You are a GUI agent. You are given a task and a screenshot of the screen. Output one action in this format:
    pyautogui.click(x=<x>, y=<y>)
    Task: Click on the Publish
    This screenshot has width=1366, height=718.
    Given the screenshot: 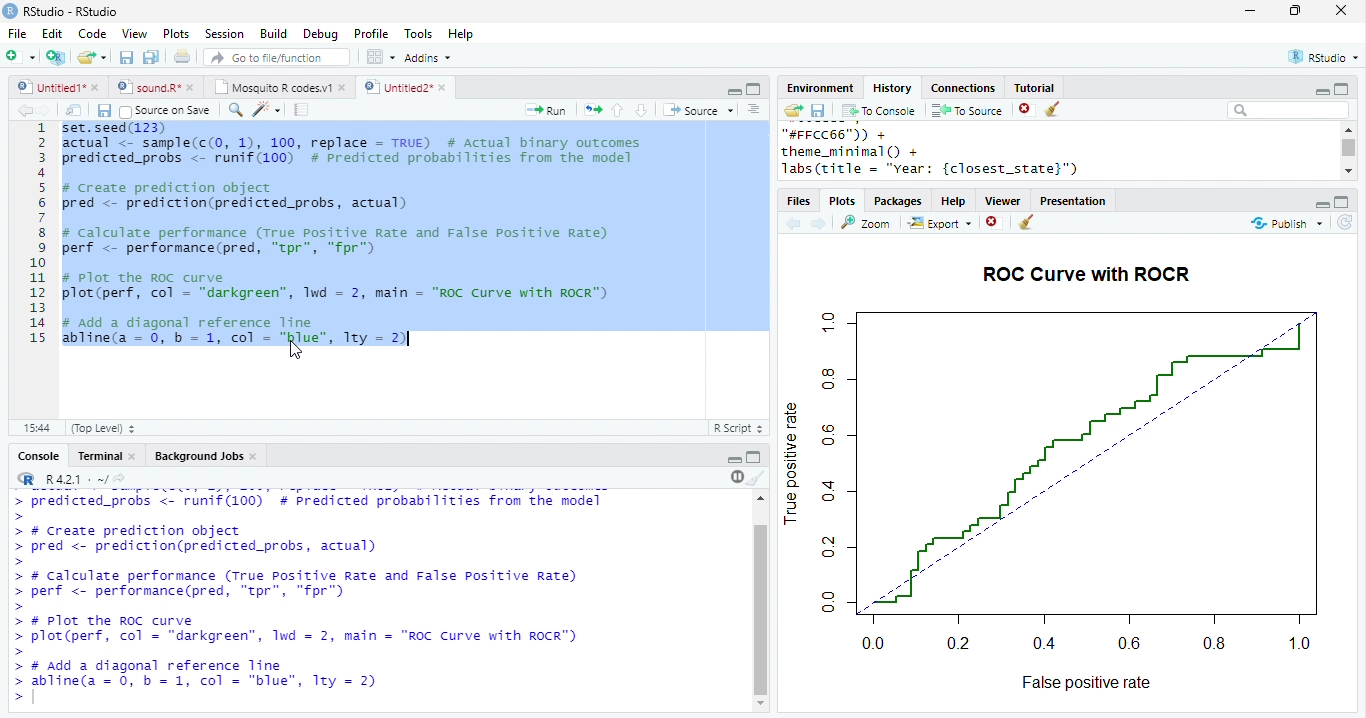 What is the action you would take?
    pyautogui.click(x=1285, y=224)
    